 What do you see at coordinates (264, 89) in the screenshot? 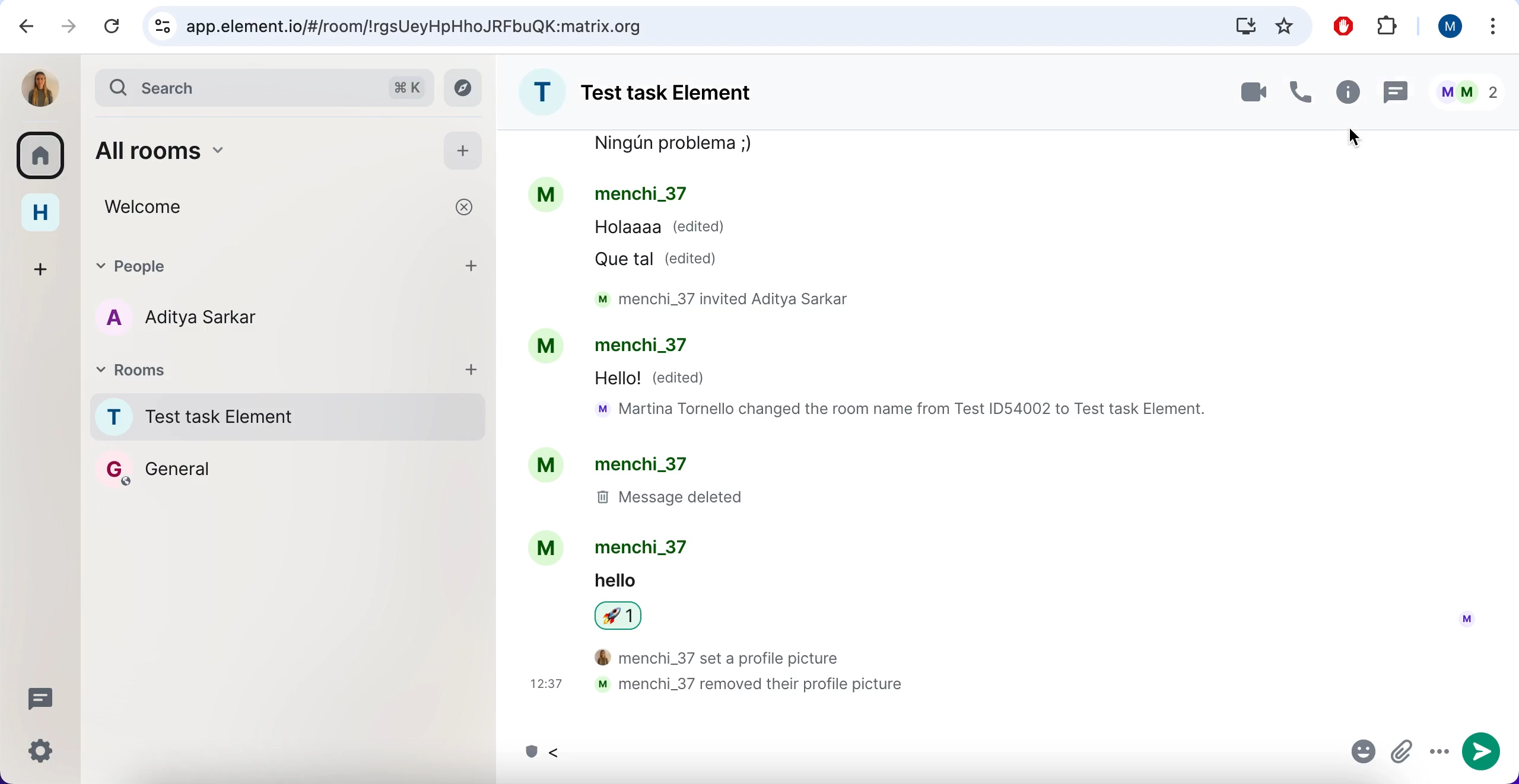
I see `google search` at bounding box center [264, 89].